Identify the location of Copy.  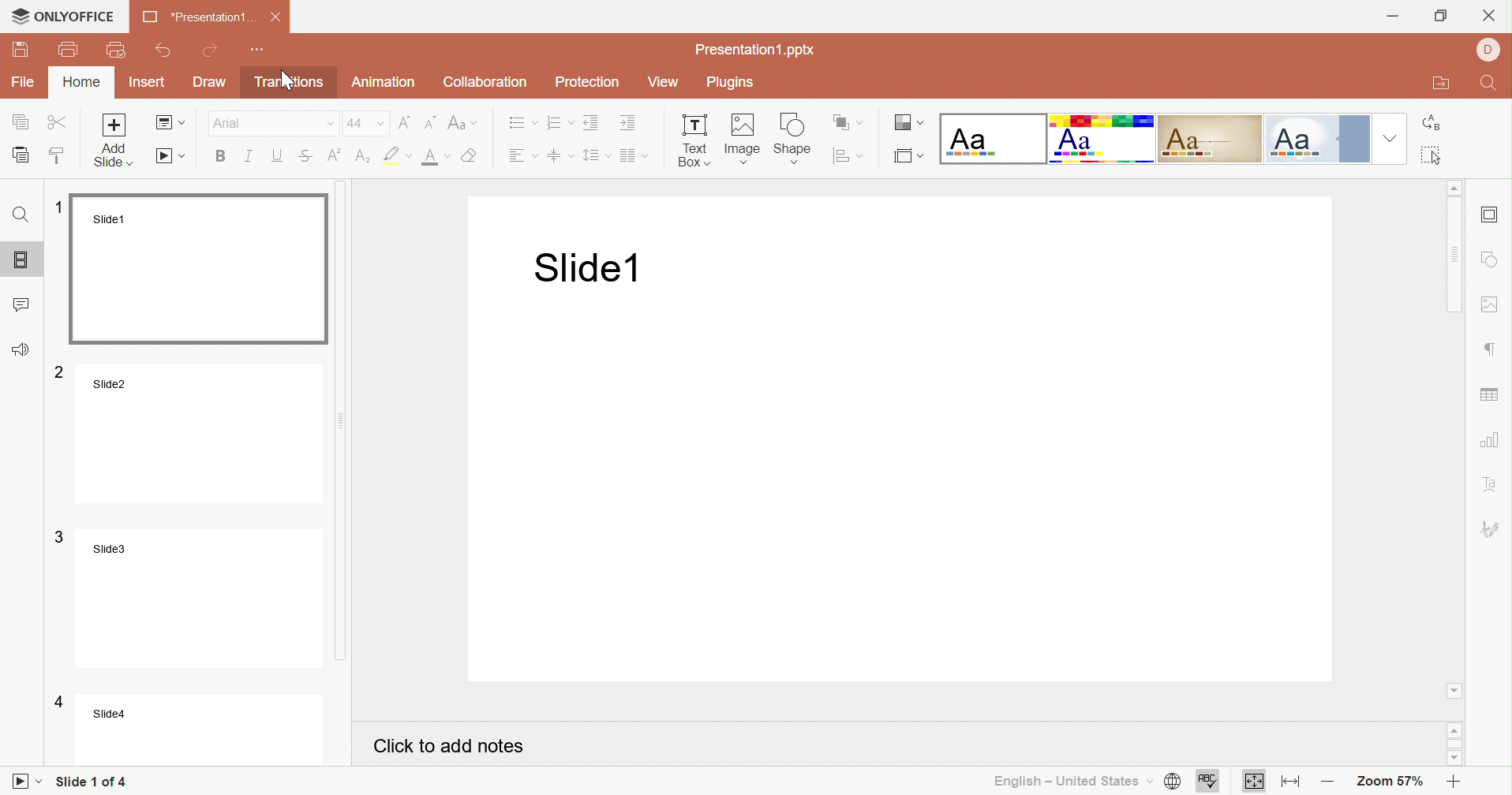
(22, 121).